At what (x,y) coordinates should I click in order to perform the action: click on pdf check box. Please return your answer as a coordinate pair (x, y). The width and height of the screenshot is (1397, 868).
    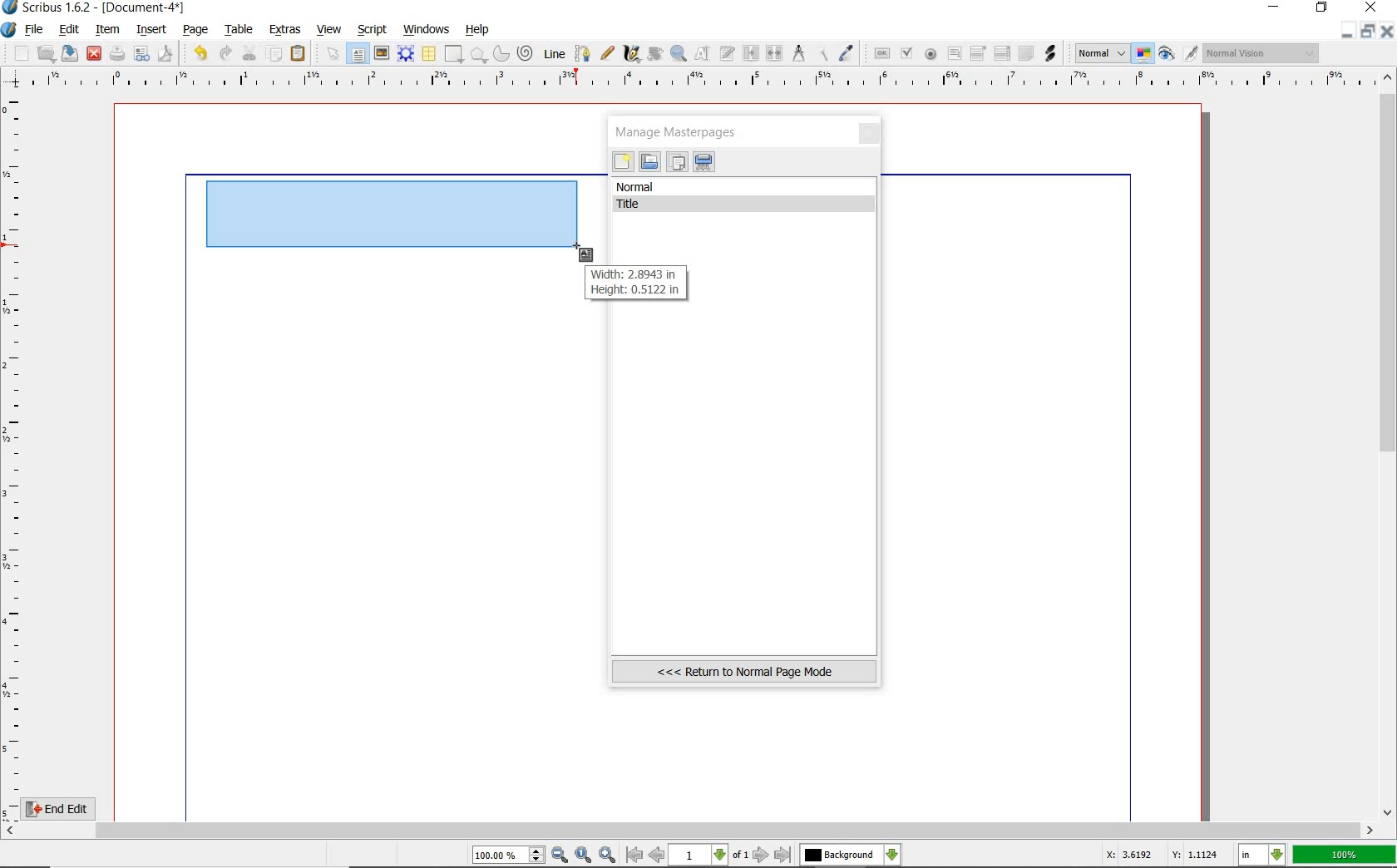
    Looking at the image, I should click on (906, 53).